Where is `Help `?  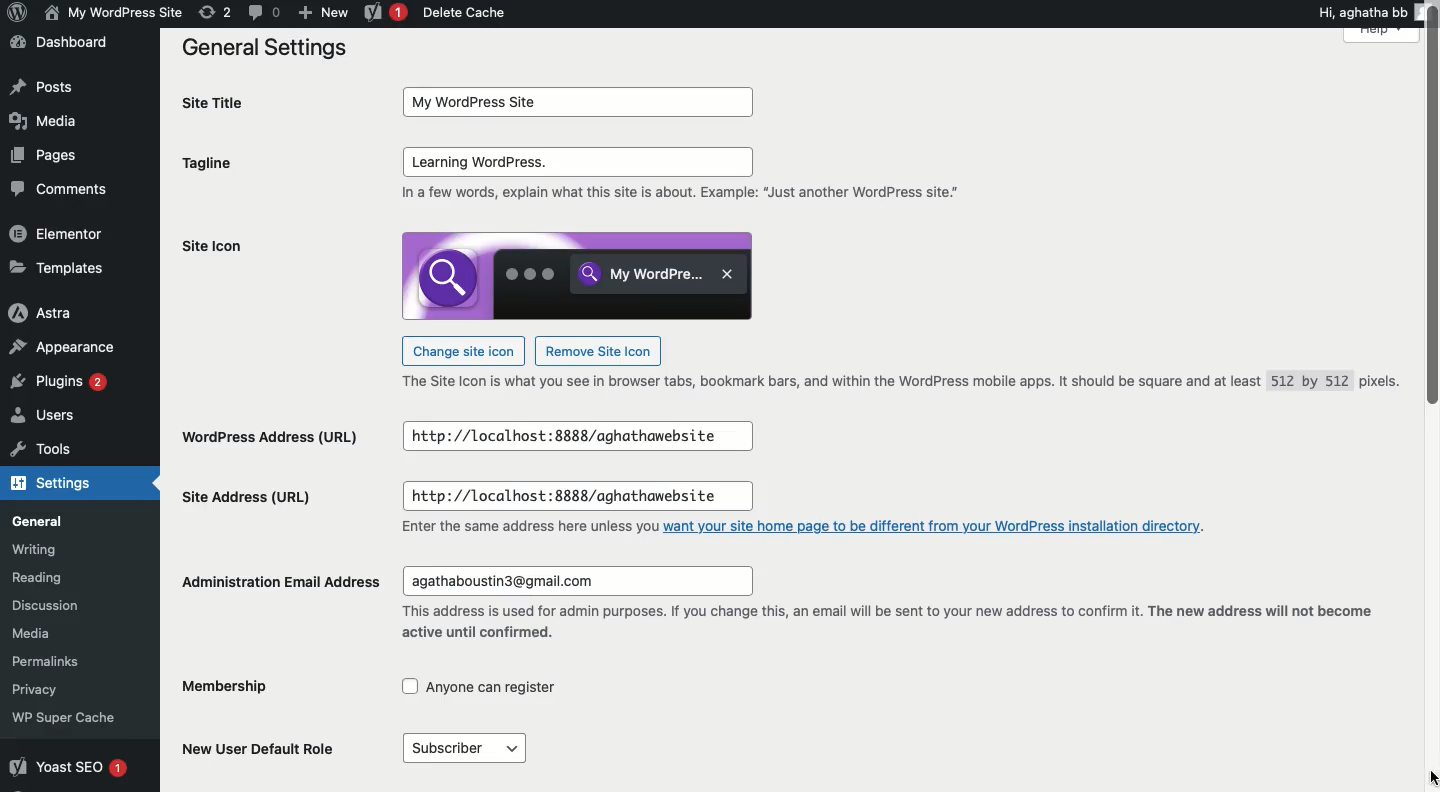
Help  is located at coordinates (1383, 35).